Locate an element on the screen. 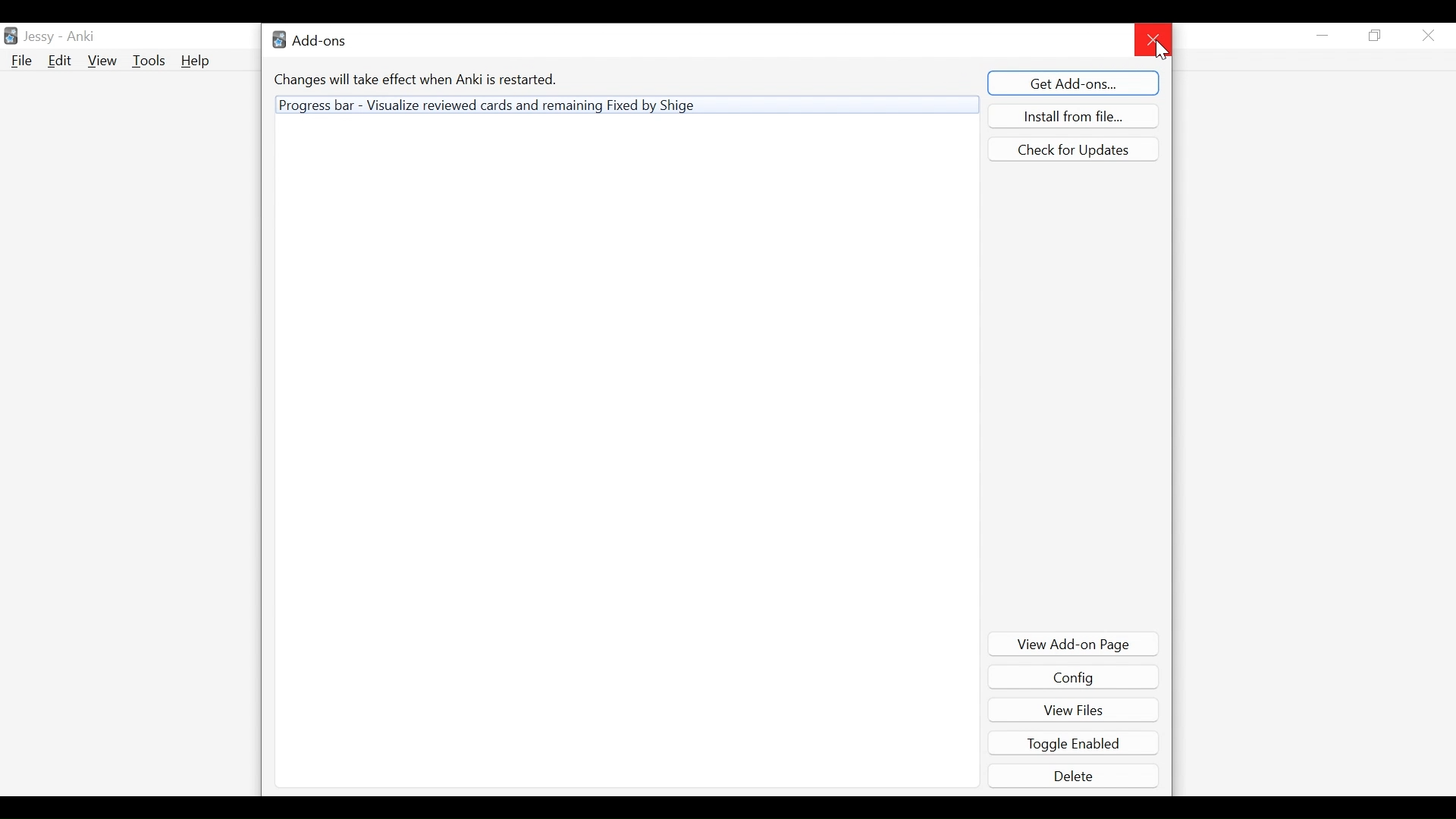  Install from file is located at coordinates (1073, 115).